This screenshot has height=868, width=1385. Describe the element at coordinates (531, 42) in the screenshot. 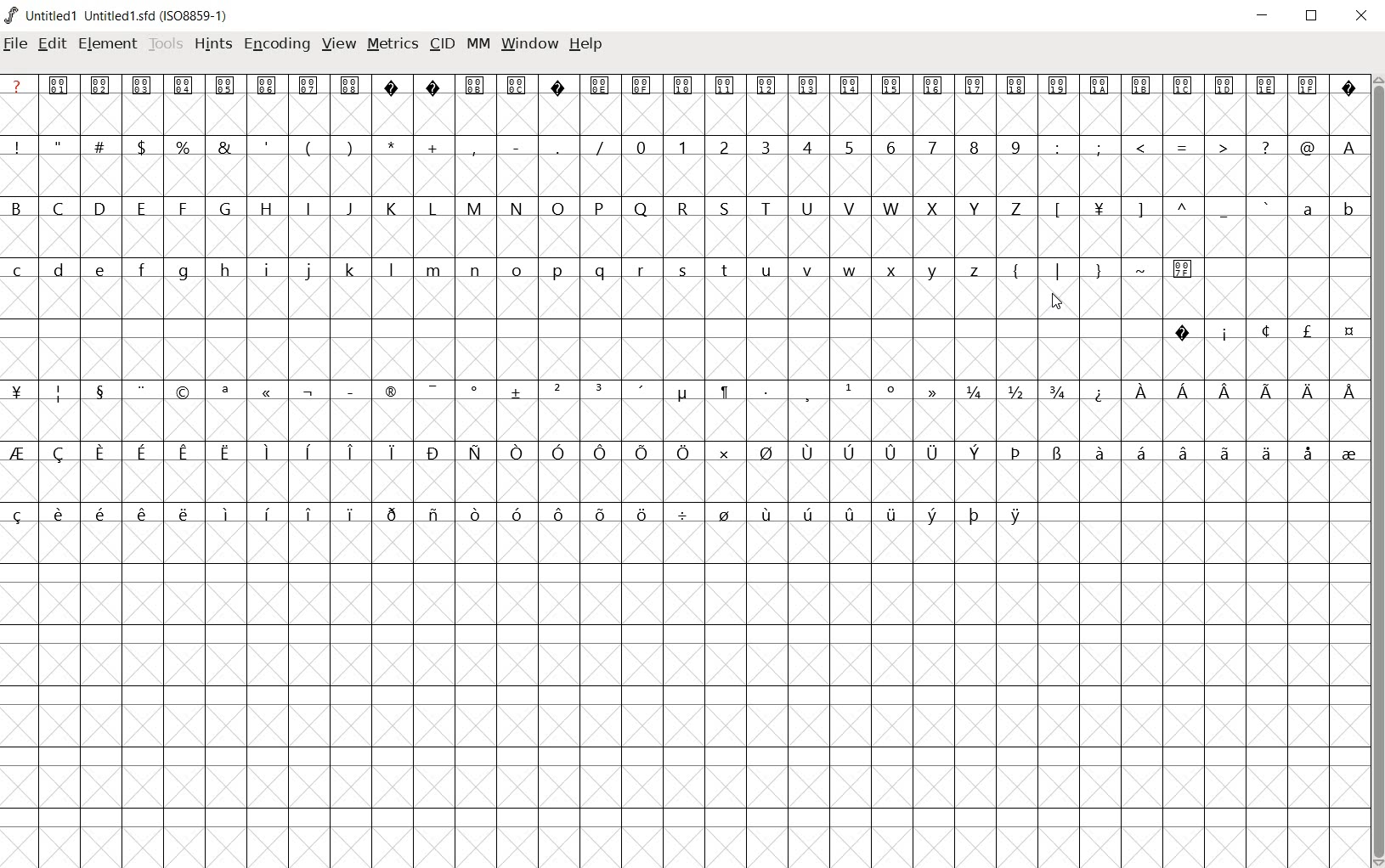

I see `window` at that location.